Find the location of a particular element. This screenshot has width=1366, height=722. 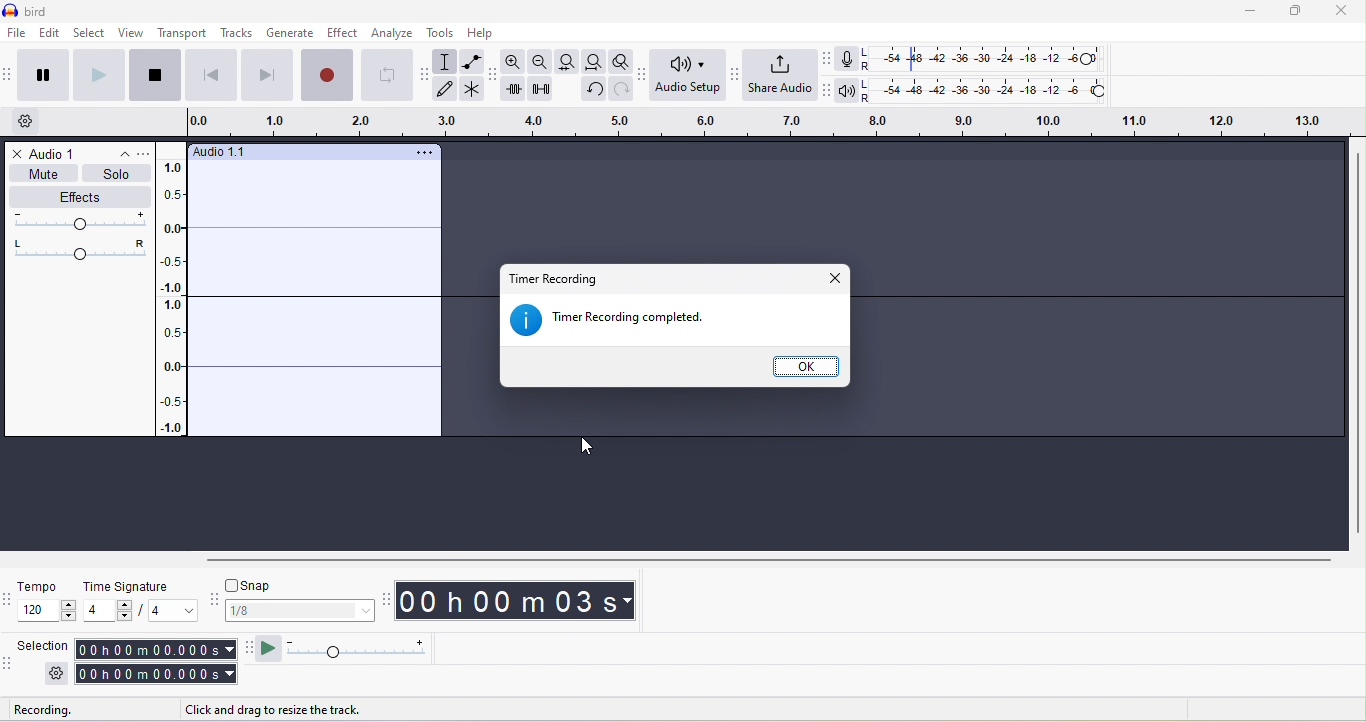

close is located at coordinates (12, 154).